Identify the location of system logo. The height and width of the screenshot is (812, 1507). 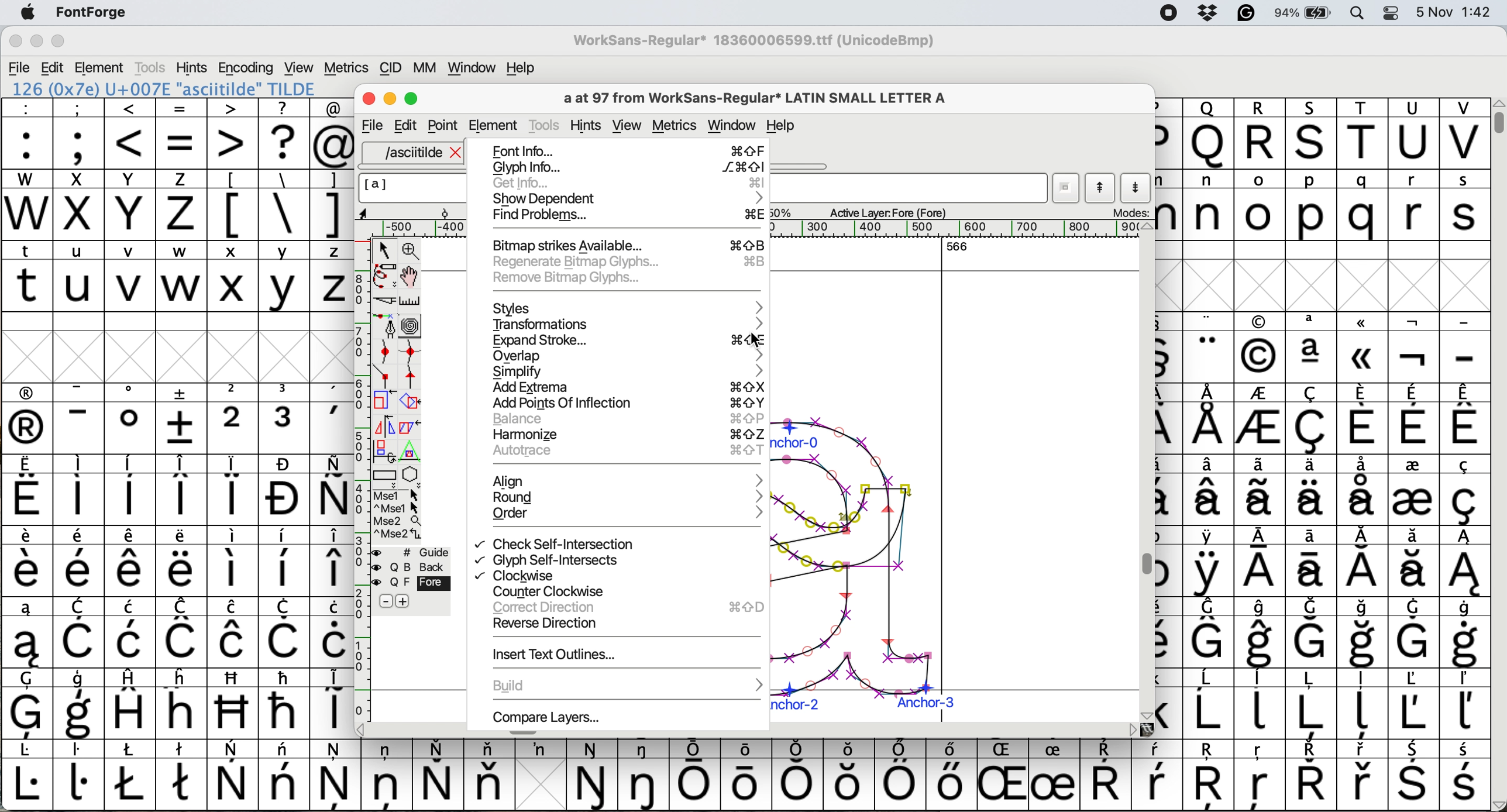
(27, 13).